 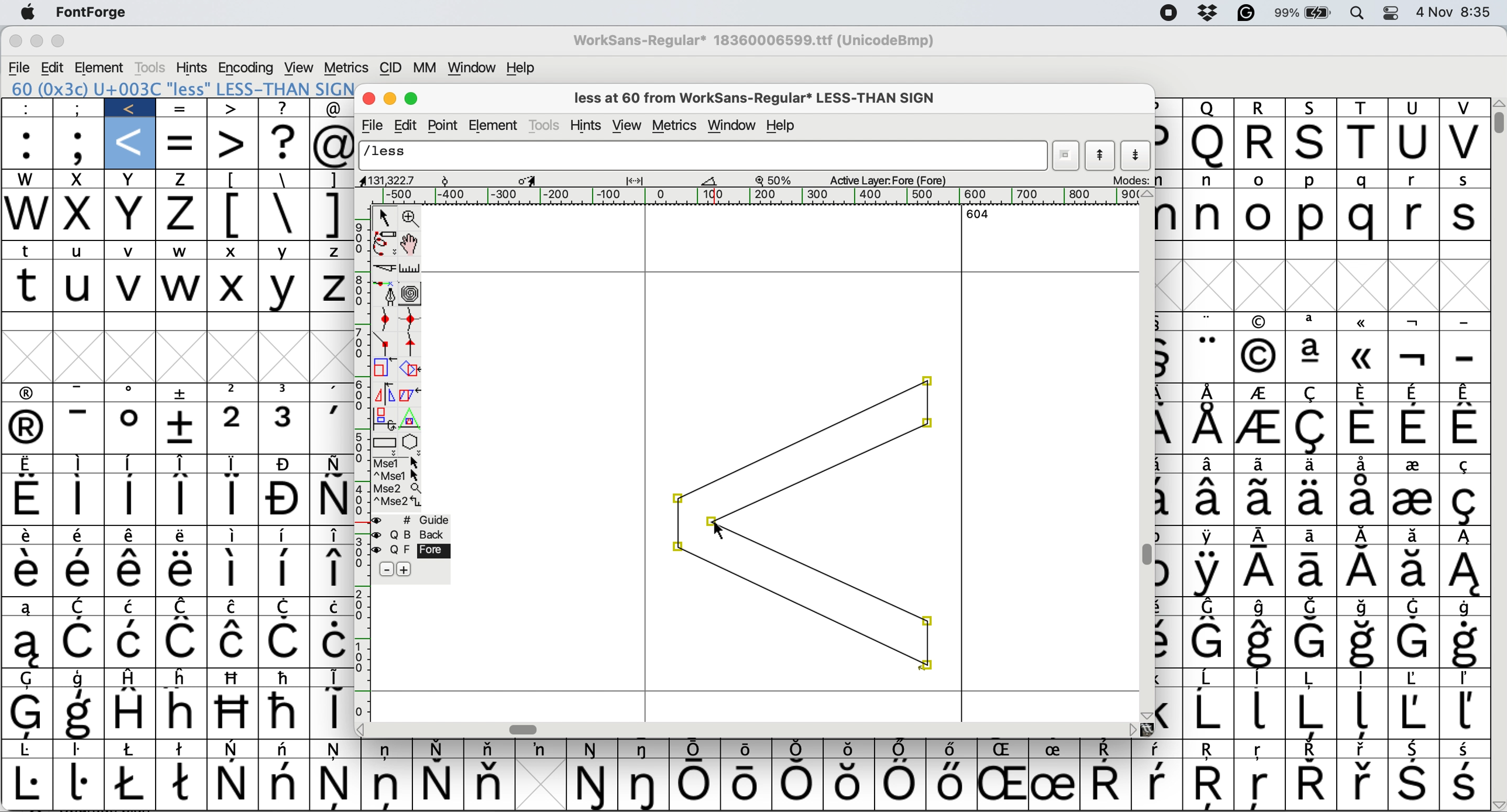 I want to click on Symbol, so click(x=285, y=569).